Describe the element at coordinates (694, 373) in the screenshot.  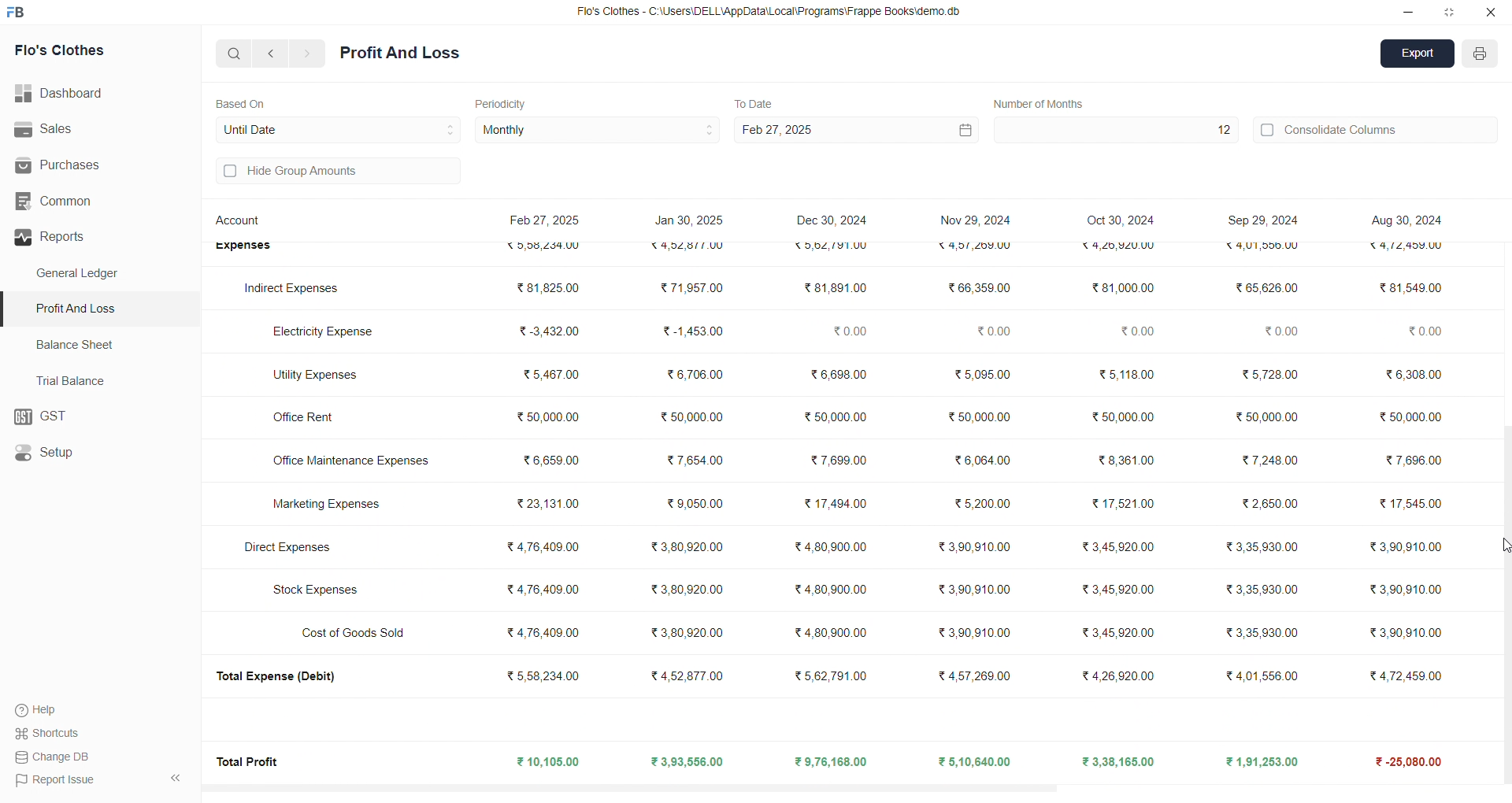
I see `₹6,706.00` at that location.